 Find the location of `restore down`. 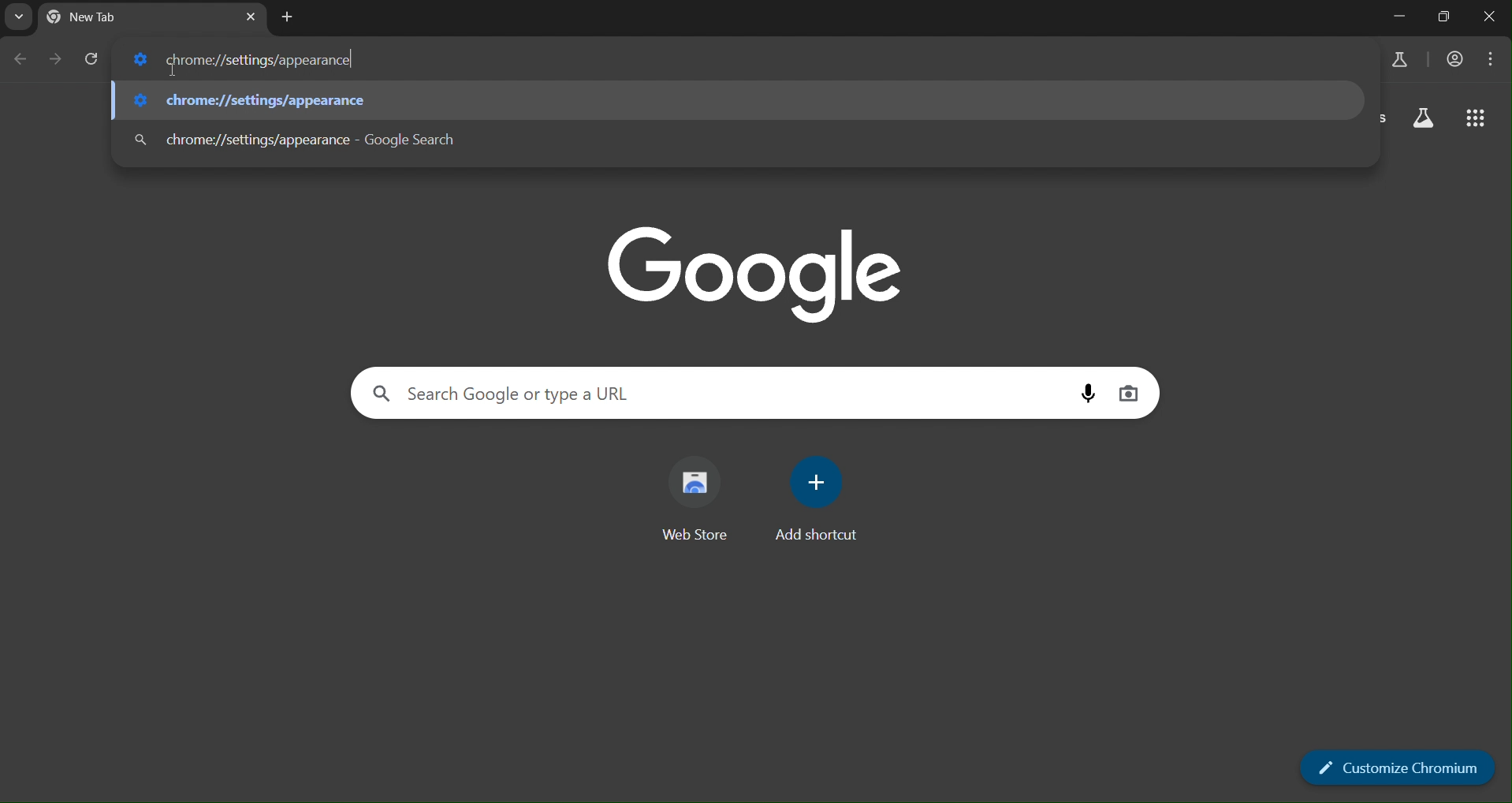

restore down is located at coordinates (1442, 18).